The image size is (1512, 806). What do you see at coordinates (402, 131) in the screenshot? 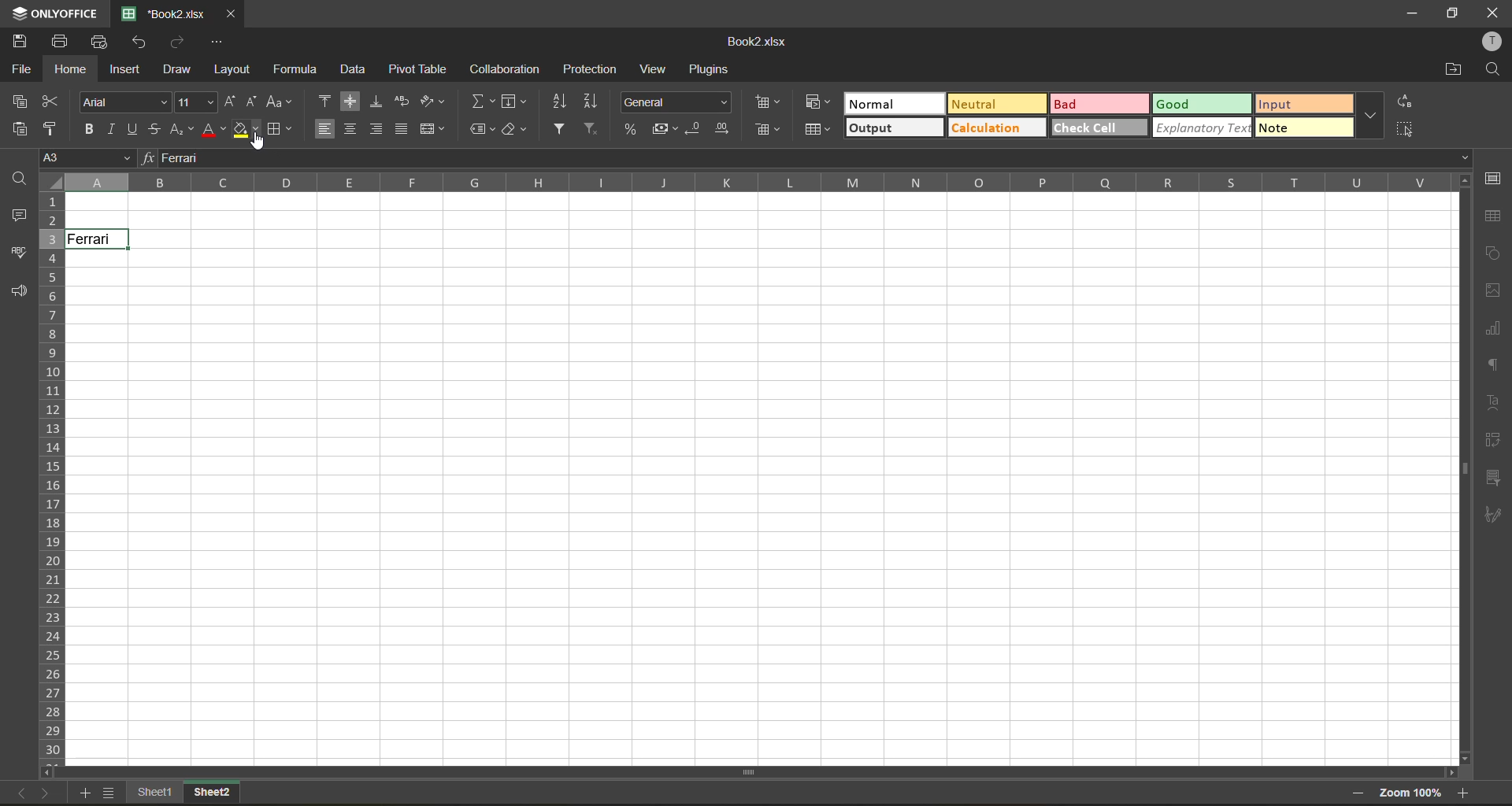
I see `justified` at bounding box center [402, 131].